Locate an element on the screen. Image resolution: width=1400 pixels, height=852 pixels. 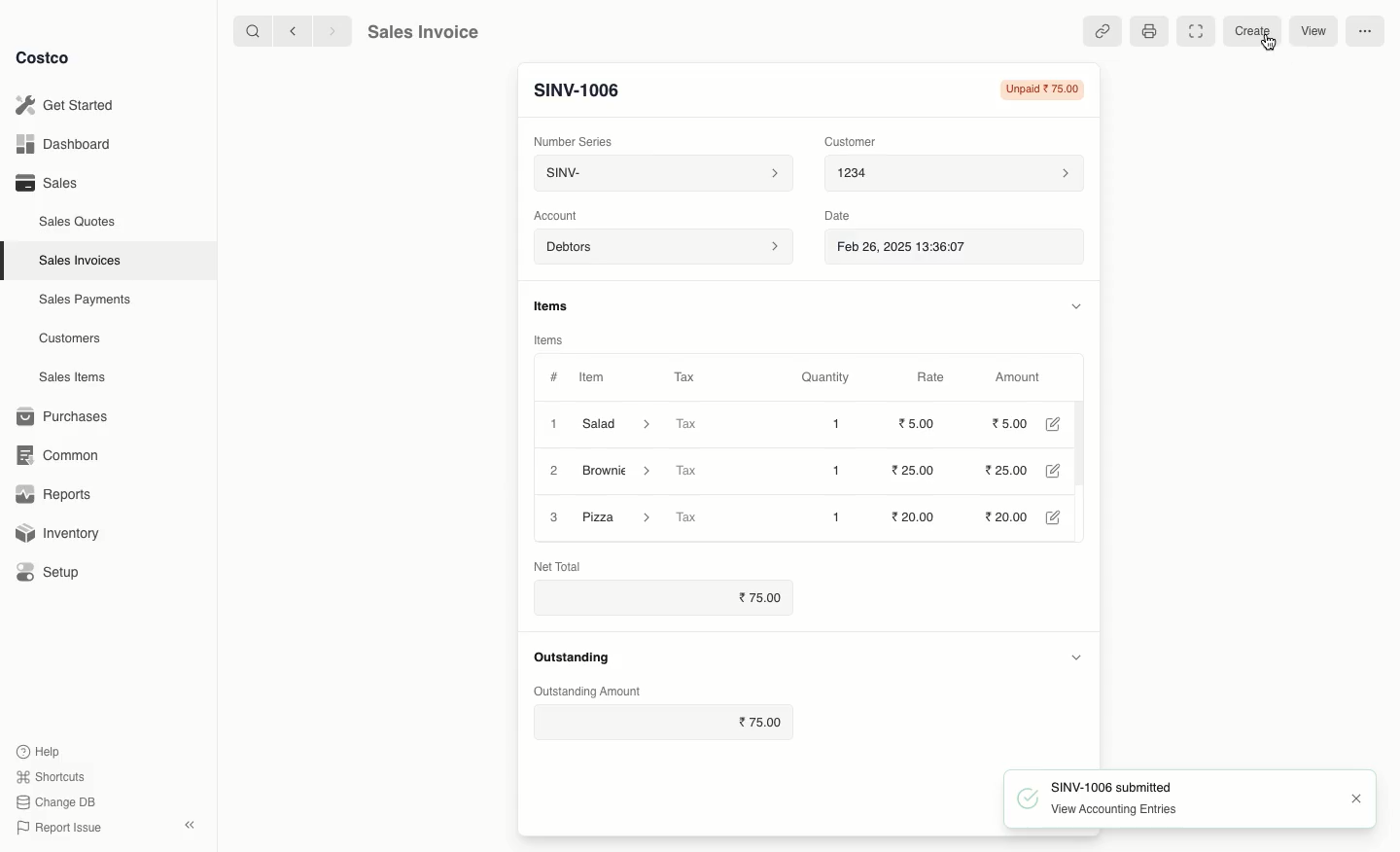
‘Outstanding Amount is located at coordinates (587, 691).